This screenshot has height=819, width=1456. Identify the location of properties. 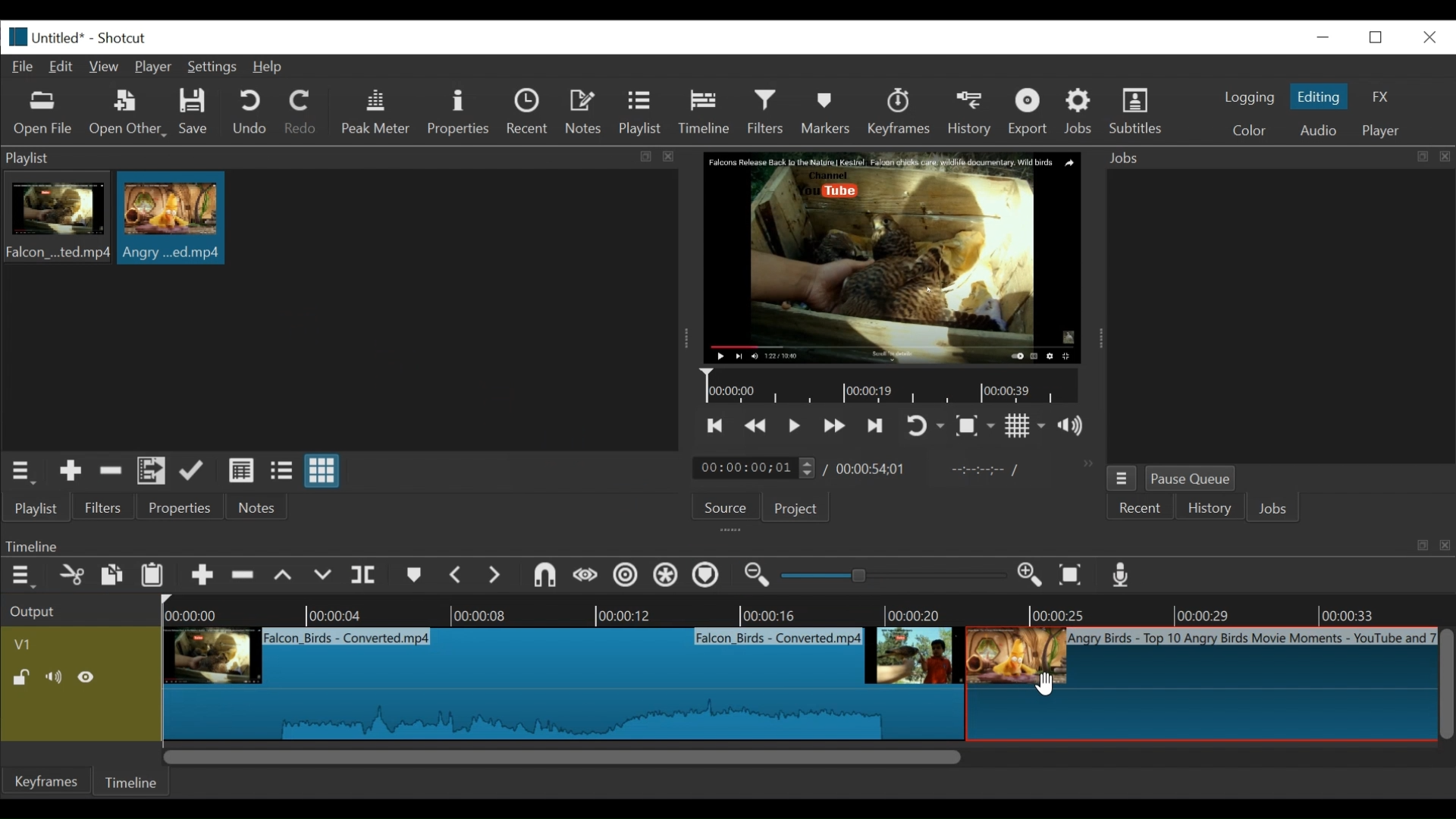
(181, 508).